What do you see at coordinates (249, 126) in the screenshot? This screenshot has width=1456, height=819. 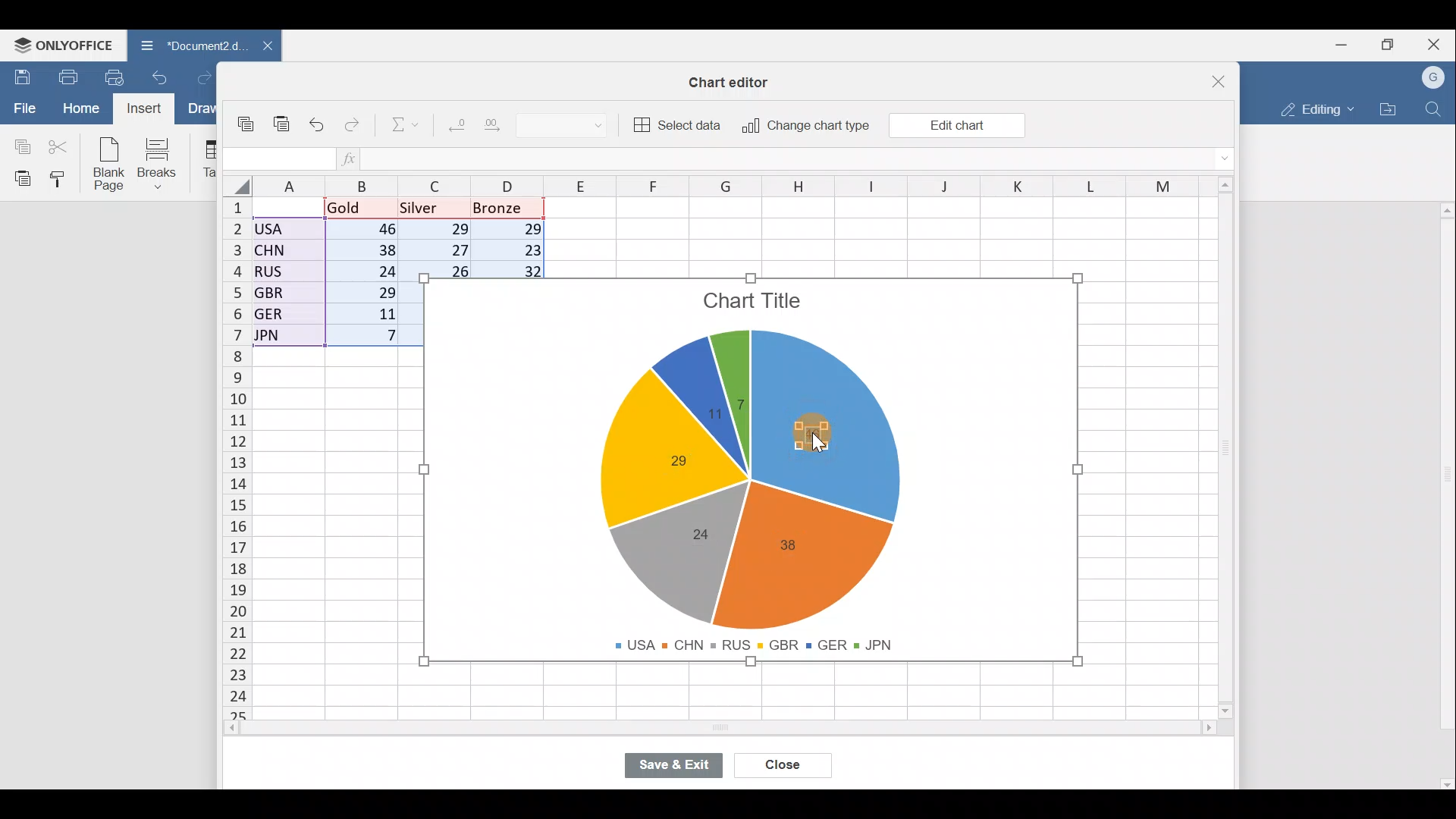 I see `Copy` at bounding box center [249, 126].